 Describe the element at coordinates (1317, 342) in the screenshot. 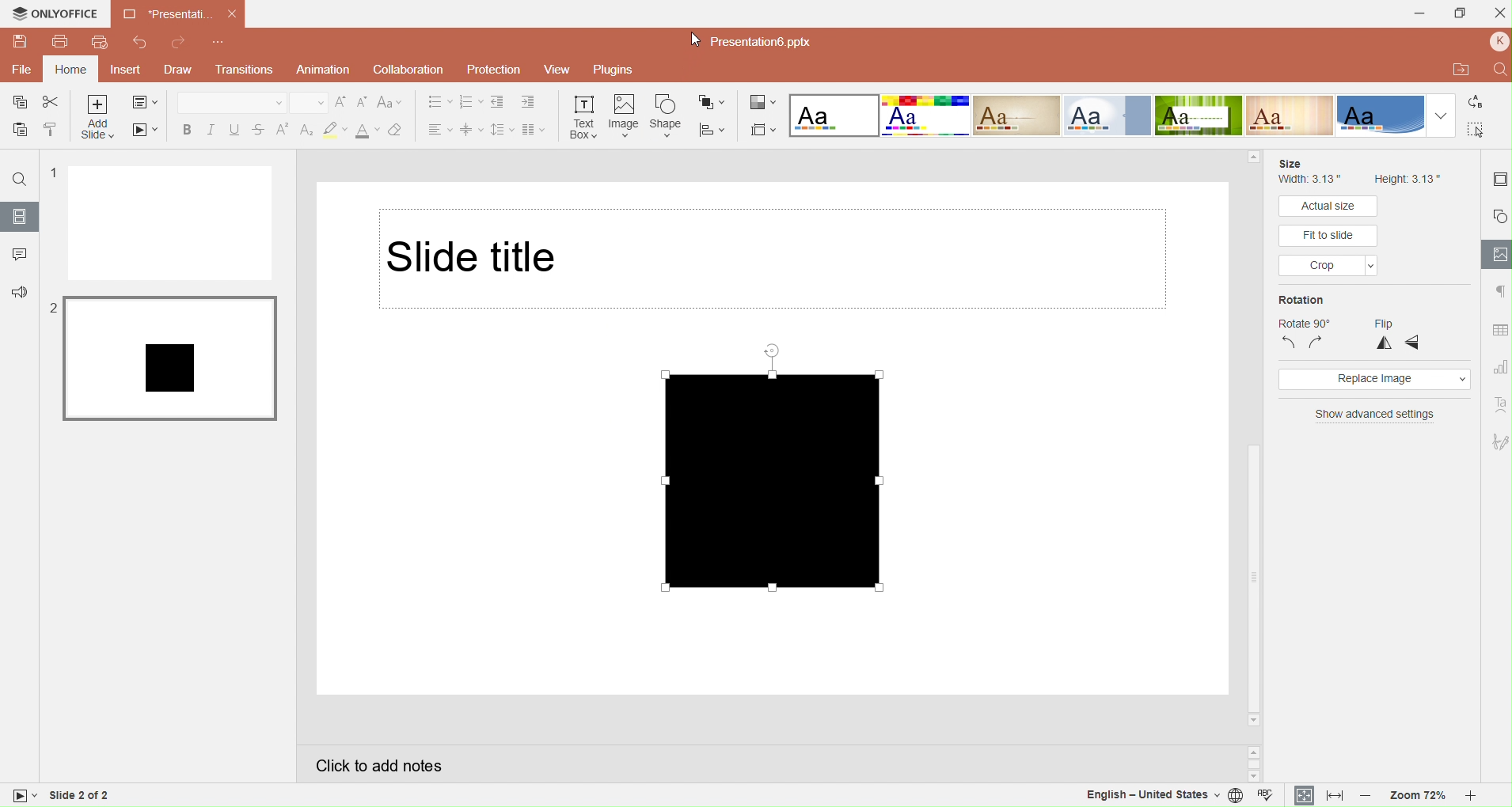

I see `rotate right` at that location.